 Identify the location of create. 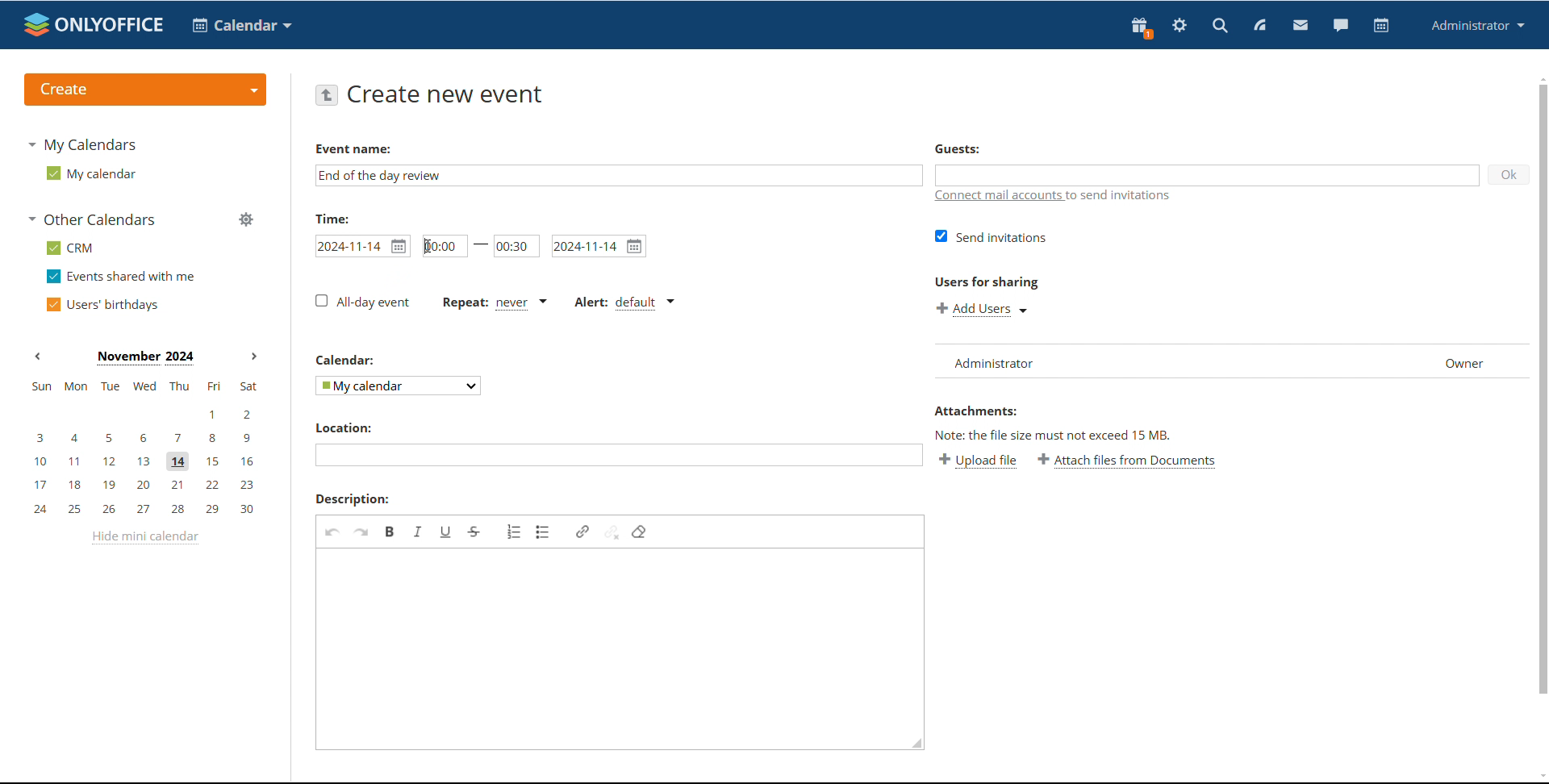
(145, 90).